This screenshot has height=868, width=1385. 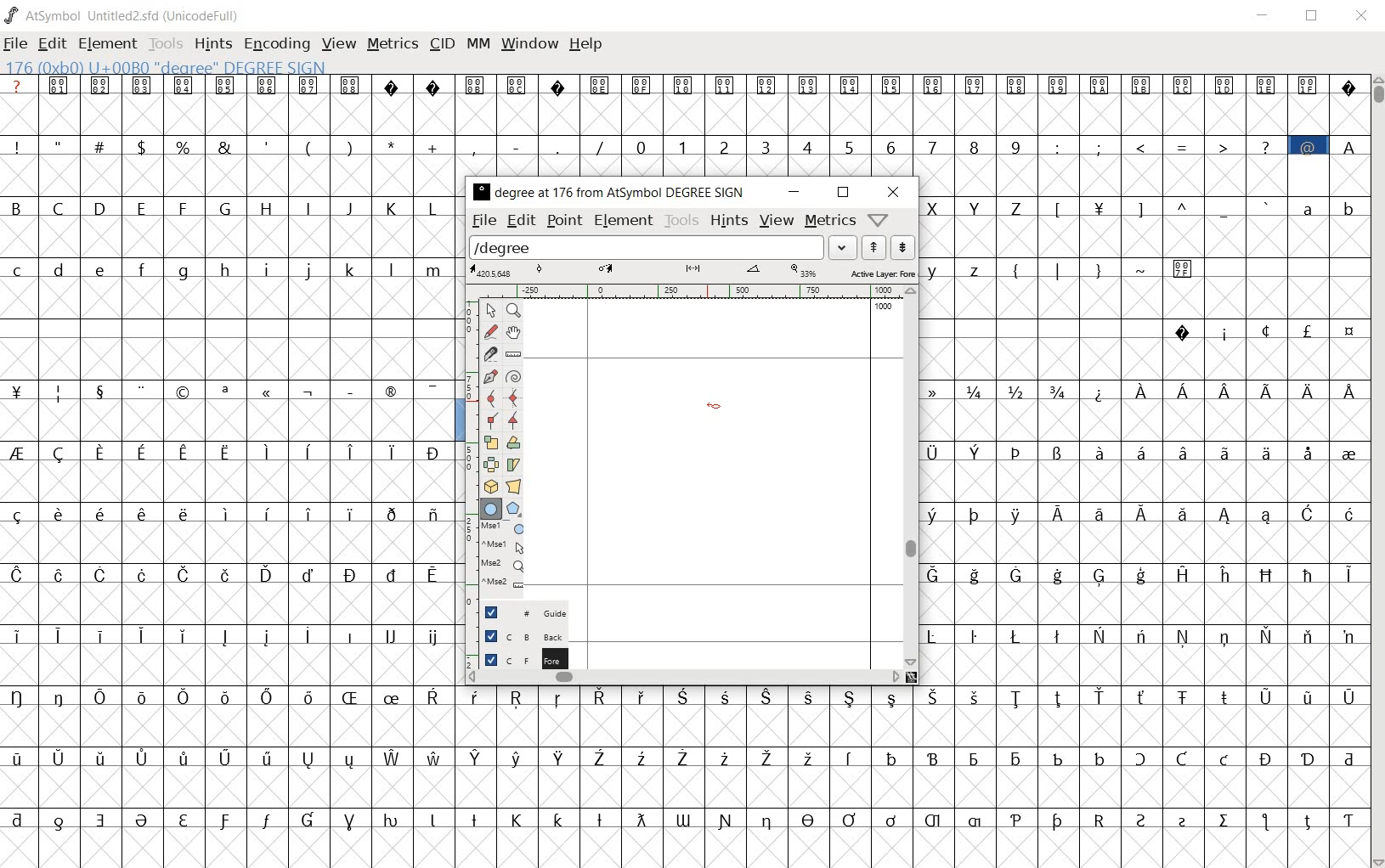 What do you see at coordinates (1348, 144) in the screenshot?
I see `A` at bounding box center [1348, 144].